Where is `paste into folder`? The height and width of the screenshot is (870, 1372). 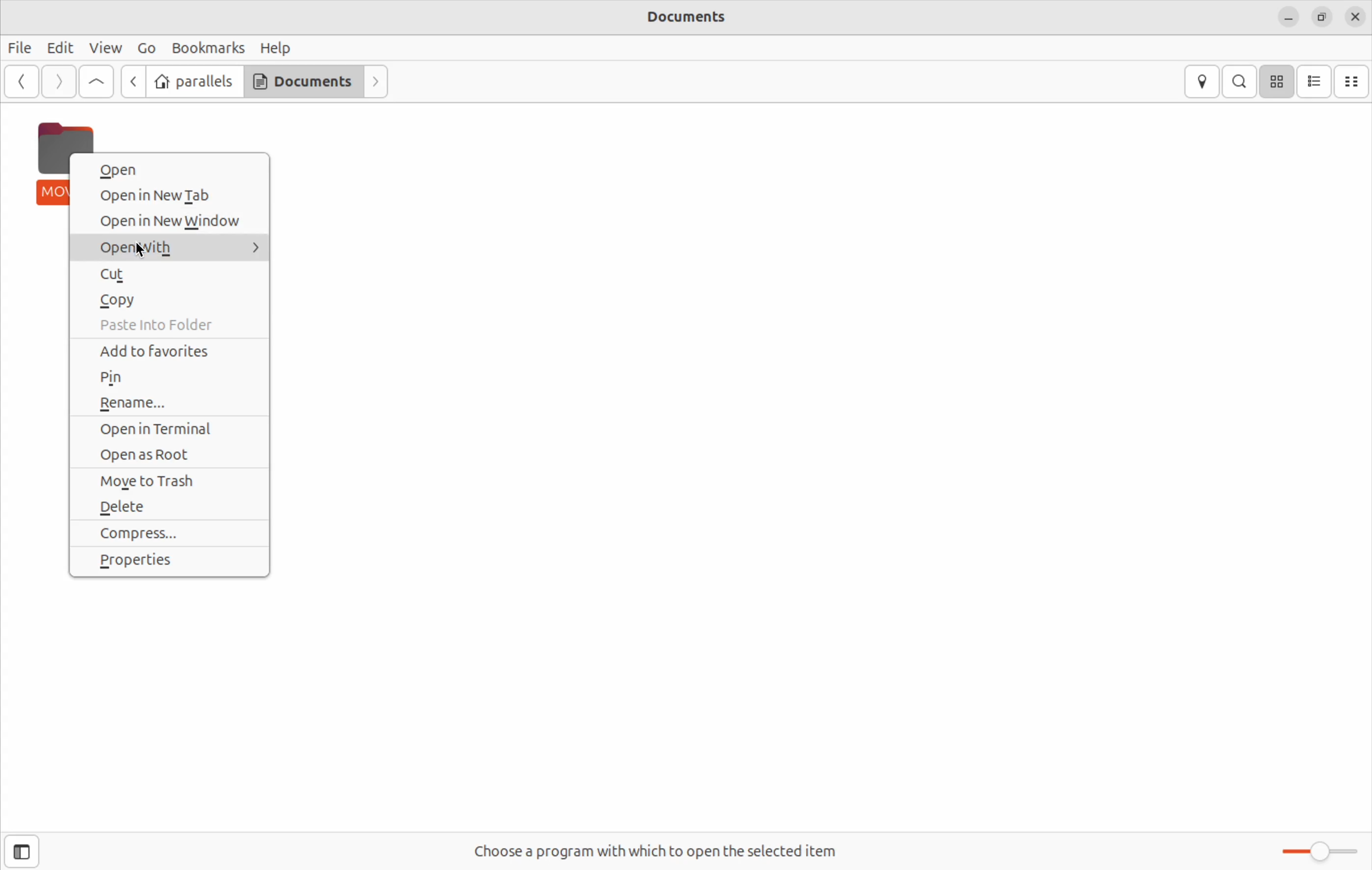 paste into folder is located at coordinates (168, 324).